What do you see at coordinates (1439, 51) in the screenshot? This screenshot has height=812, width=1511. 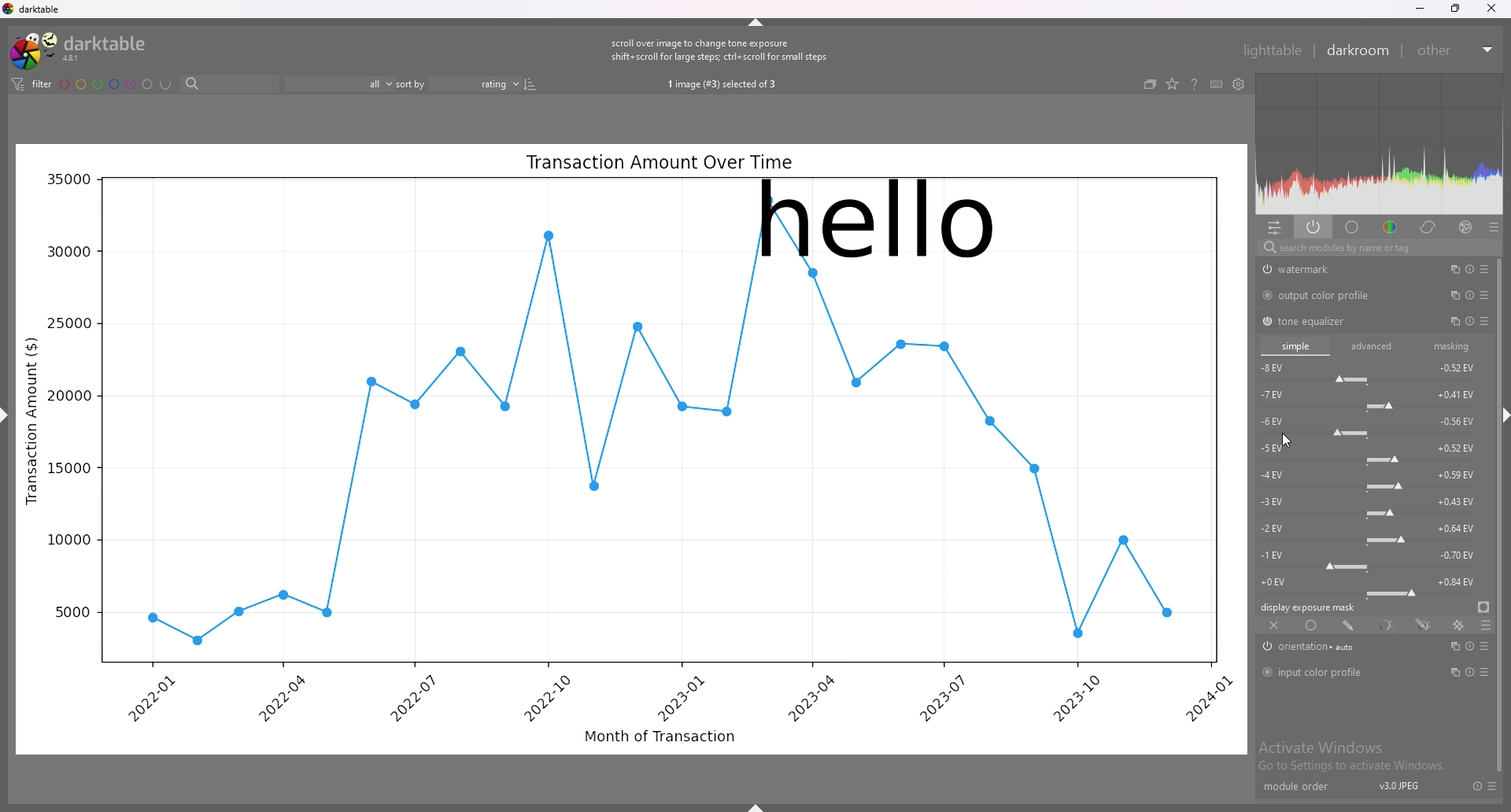 I see `other` at bounding box center [1439, 51].